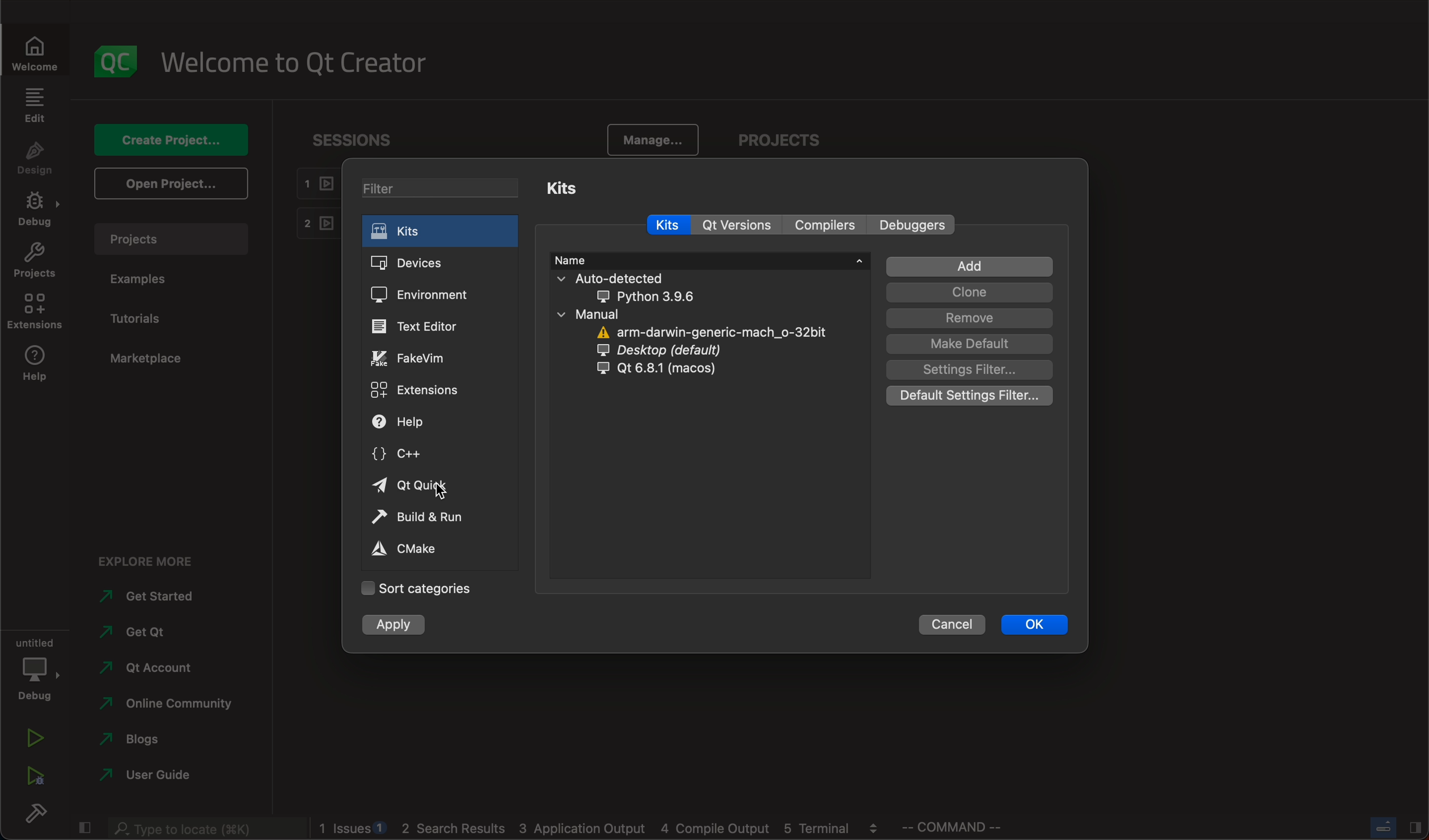  Describe the element at coordinates (415, 550) in the screenshot. I see `cmake` at that location.